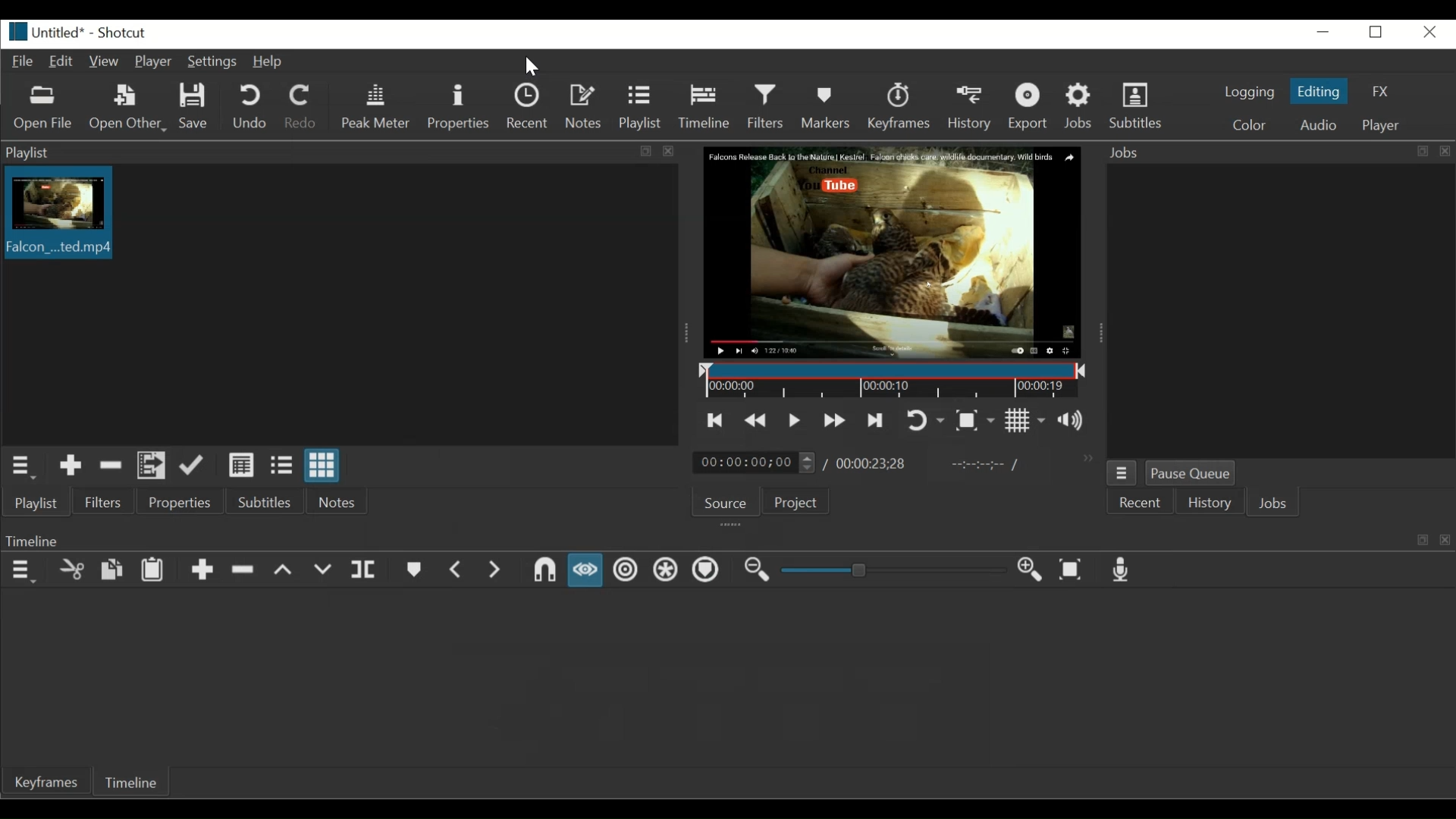 This screenshot has width=1456, height=819. What do you see at coordinates (152, 570) in the screenshot?
I see `Paste` at bounding box center [152, 570].